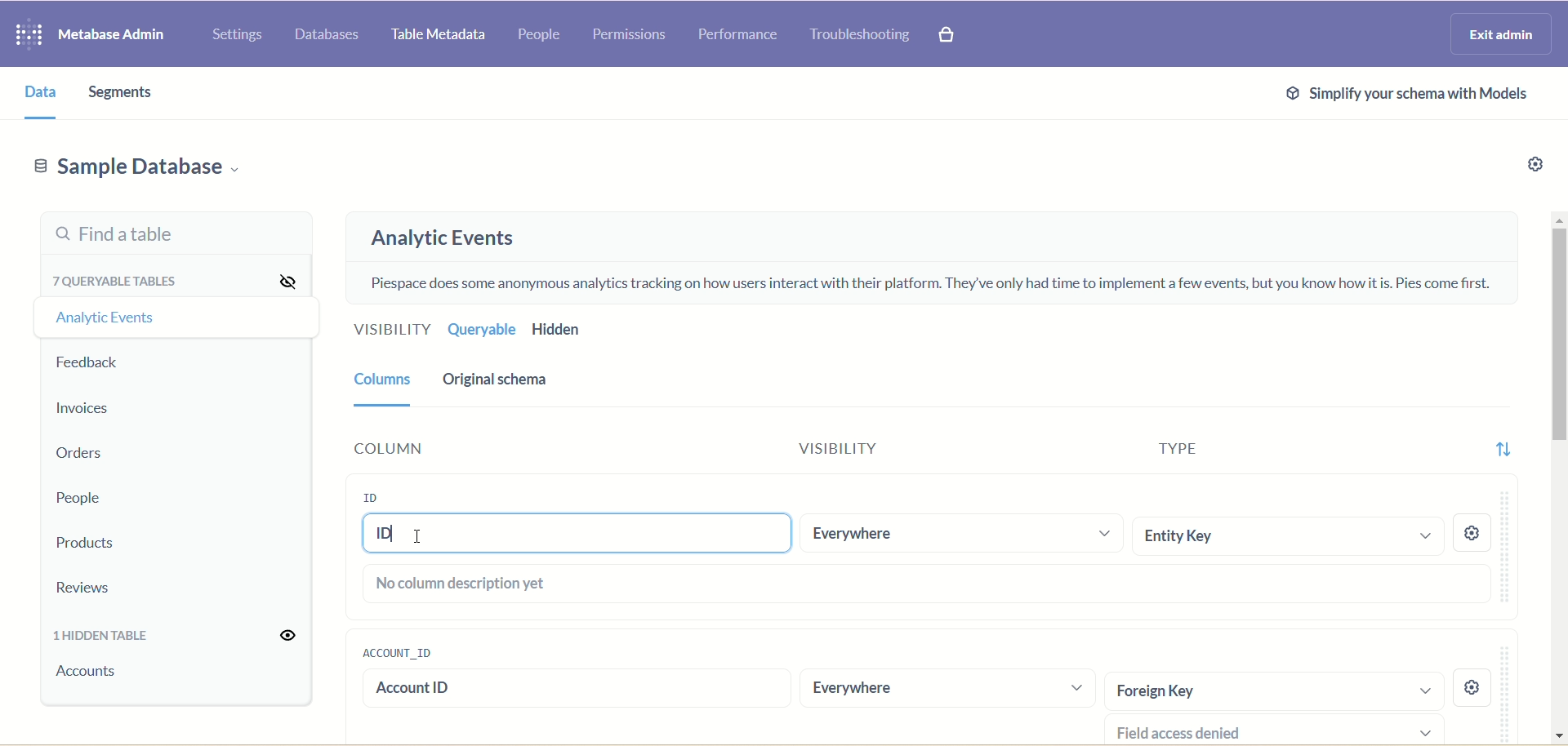 The height and width of the screenshot is (746, 1568). I want to click on Hide all, so click(278, 279).